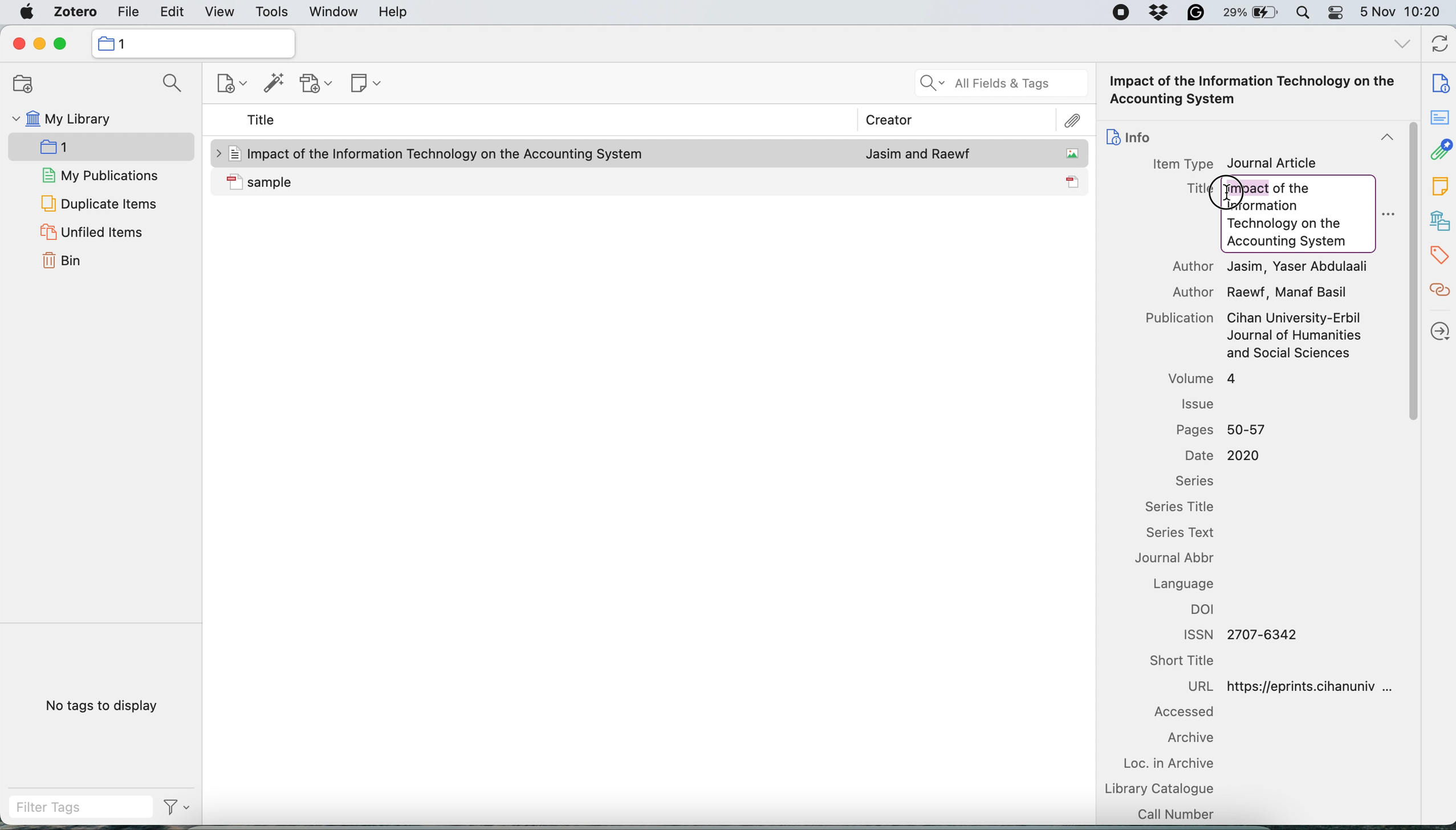  I want to click on grammarly, so click(1196, 13).